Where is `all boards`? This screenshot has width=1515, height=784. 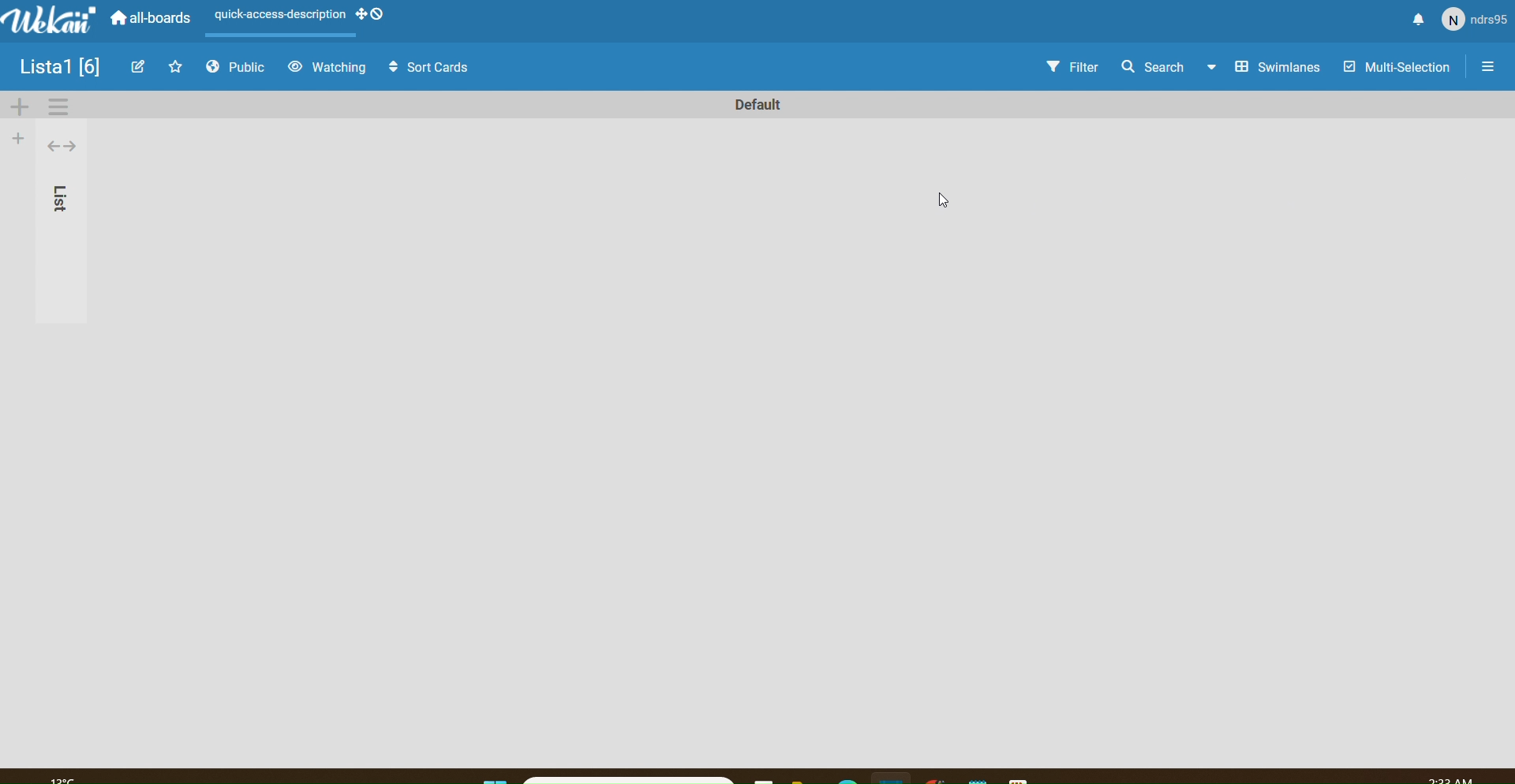
all boards is located at coordinates (148, 19).